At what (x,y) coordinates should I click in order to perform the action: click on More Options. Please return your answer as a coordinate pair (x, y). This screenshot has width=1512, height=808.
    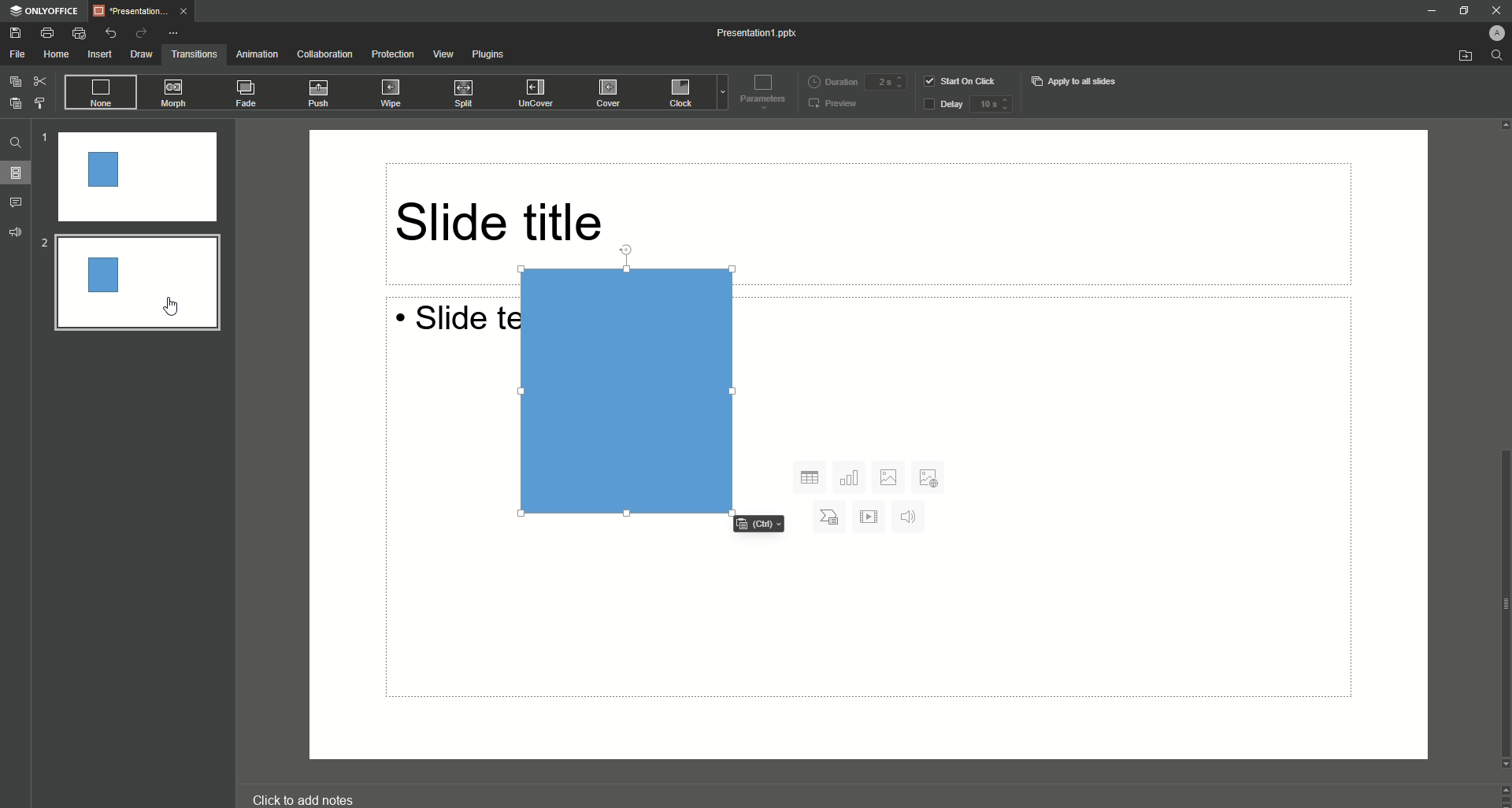
    Looking at the image, I should click on (173, 34).